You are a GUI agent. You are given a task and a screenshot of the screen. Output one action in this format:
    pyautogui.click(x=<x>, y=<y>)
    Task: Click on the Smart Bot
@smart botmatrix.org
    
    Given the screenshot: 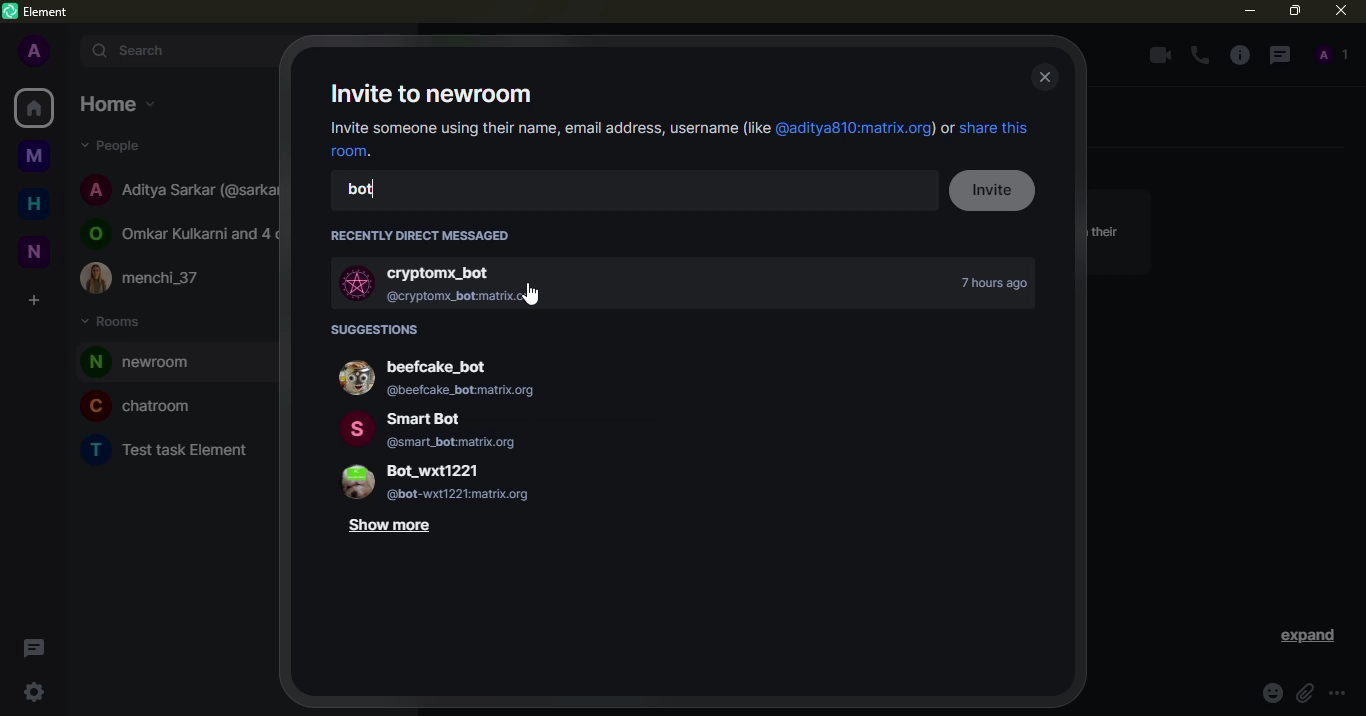 What is the action you would take?
    pyautogui.click(x=429, y=430)
    